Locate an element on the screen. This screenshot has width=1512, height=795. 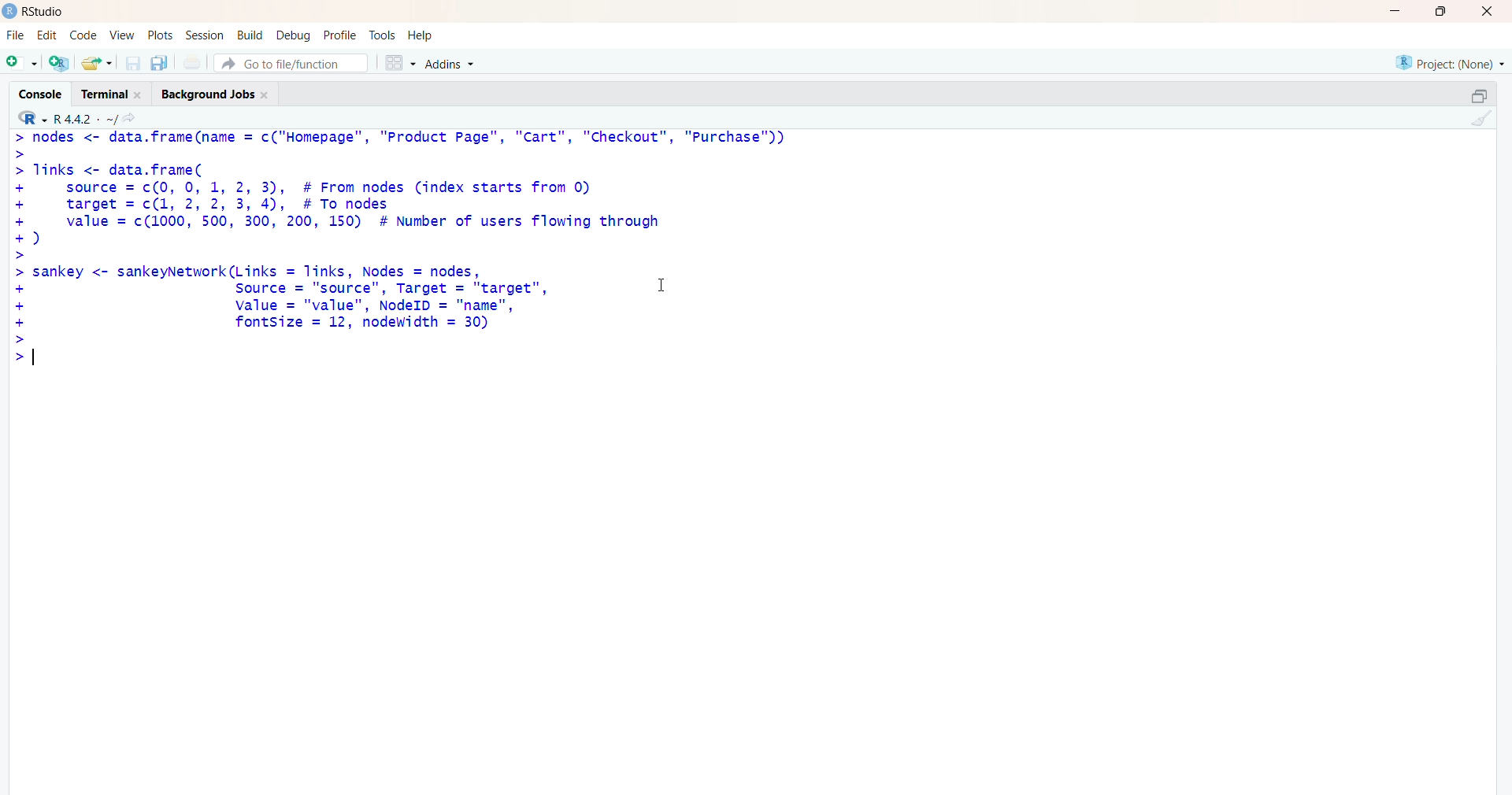
profile is located at coordinates (339, 34).